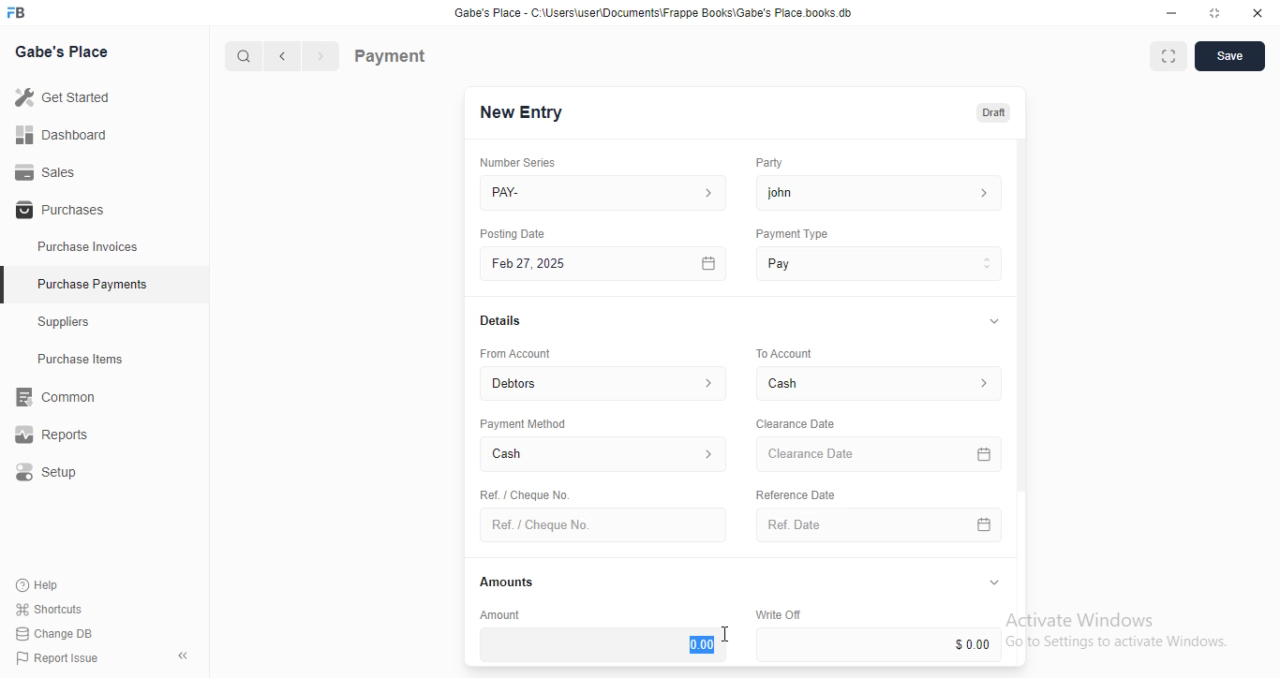 The height and width of the screenshot is (678, 1280). What do you see at coordinates (882, 644) in the screenshot?
I see `$0.00` at bounding box center [882, 644].